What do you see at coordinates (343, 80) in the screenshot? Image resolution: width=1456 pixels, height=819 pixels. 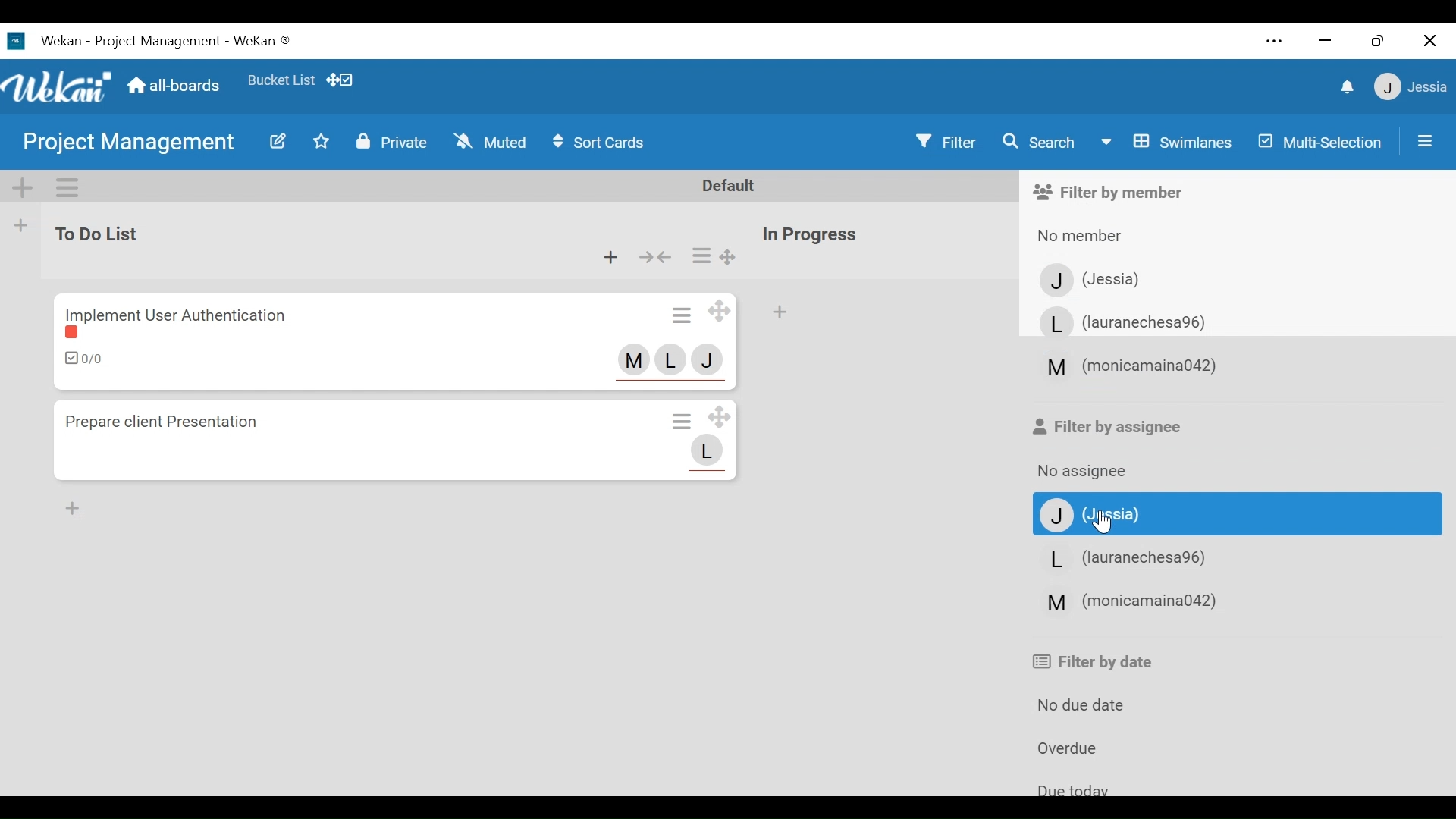 I see `Show Desktop drag handles` at bounding box center [343, 80].